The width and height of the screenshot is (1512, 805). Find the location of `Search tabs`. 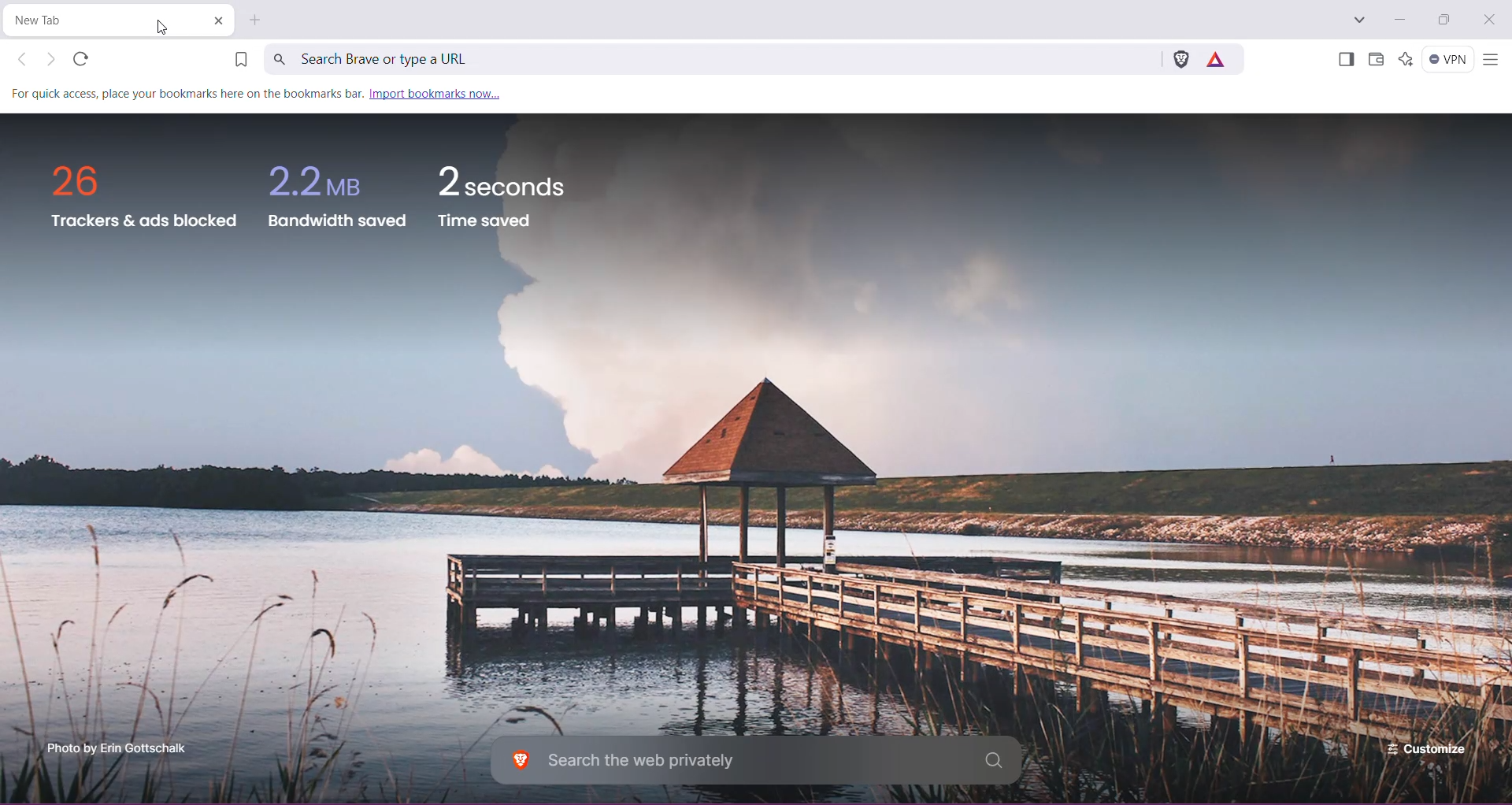

Search tabs is located at coordinates (1360, 20).